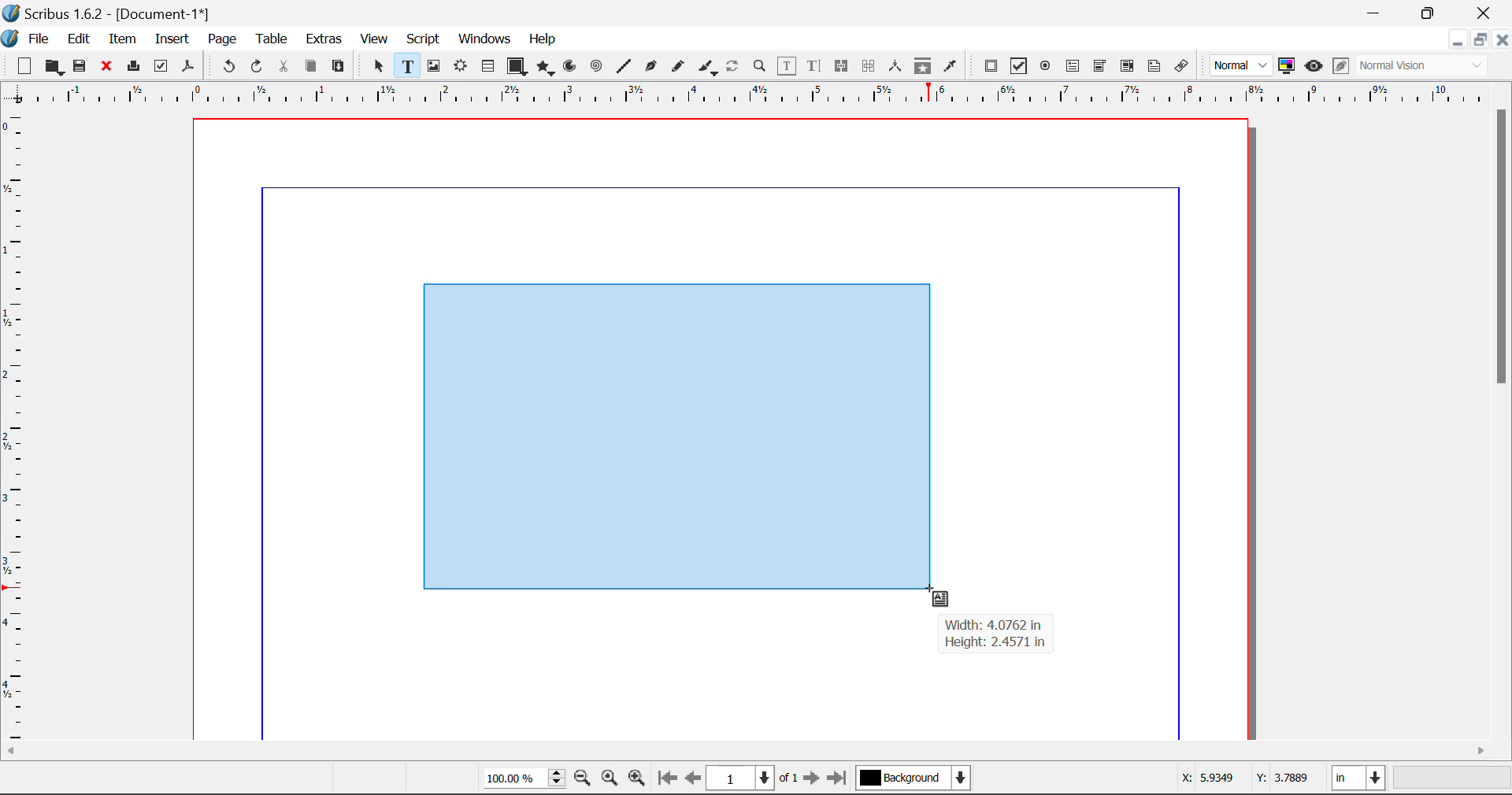  I want to click on Width: 4.0667 in, Height: 2.4571 in, so click(995, 634).